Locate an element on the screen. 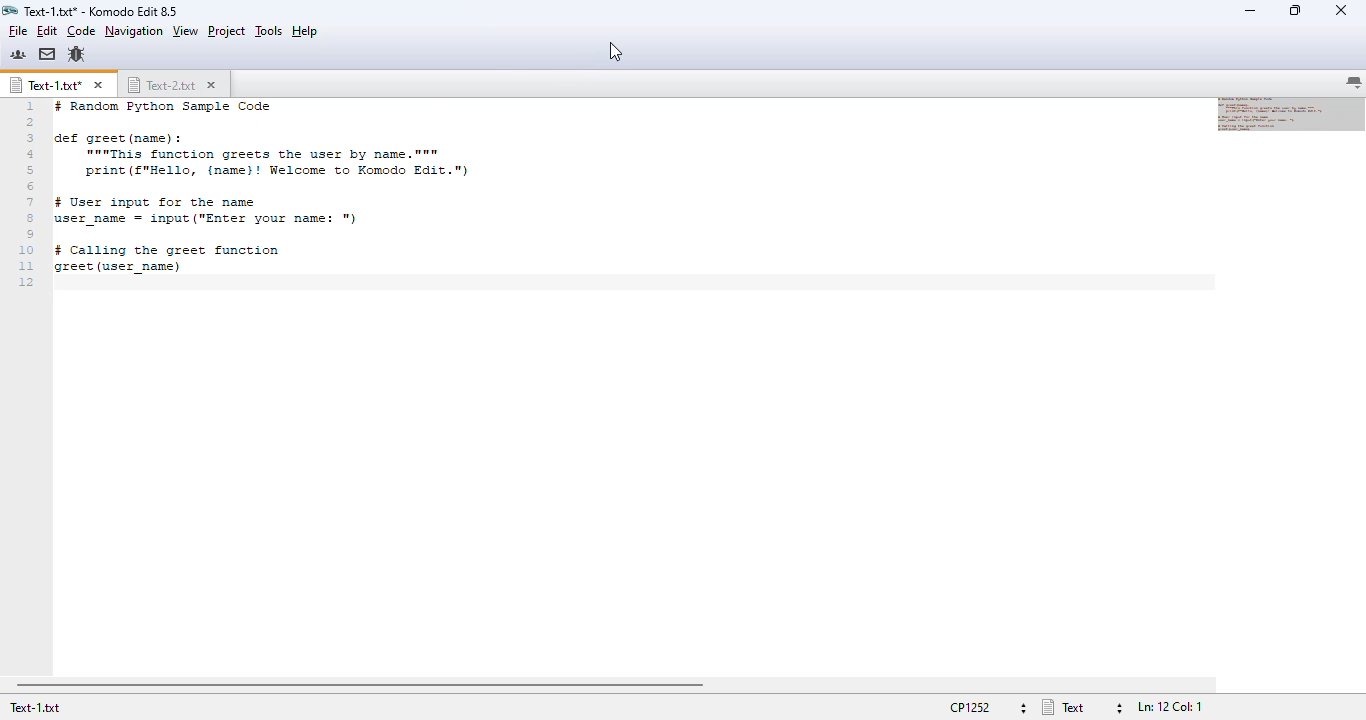  line numbers is located at coordinates (26, 194).